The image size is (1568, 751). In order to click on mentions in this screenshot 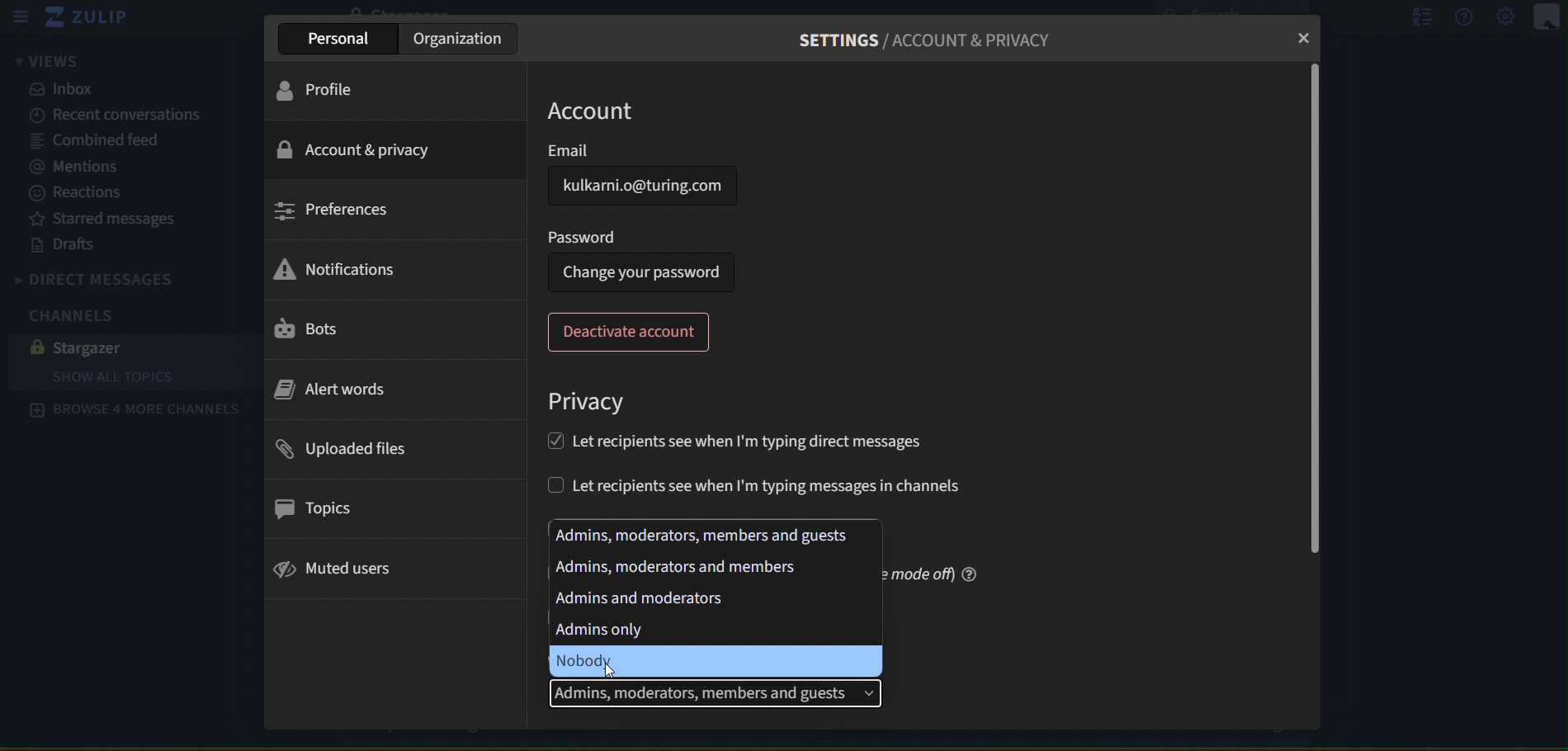, I will do `click(82, 168)`.